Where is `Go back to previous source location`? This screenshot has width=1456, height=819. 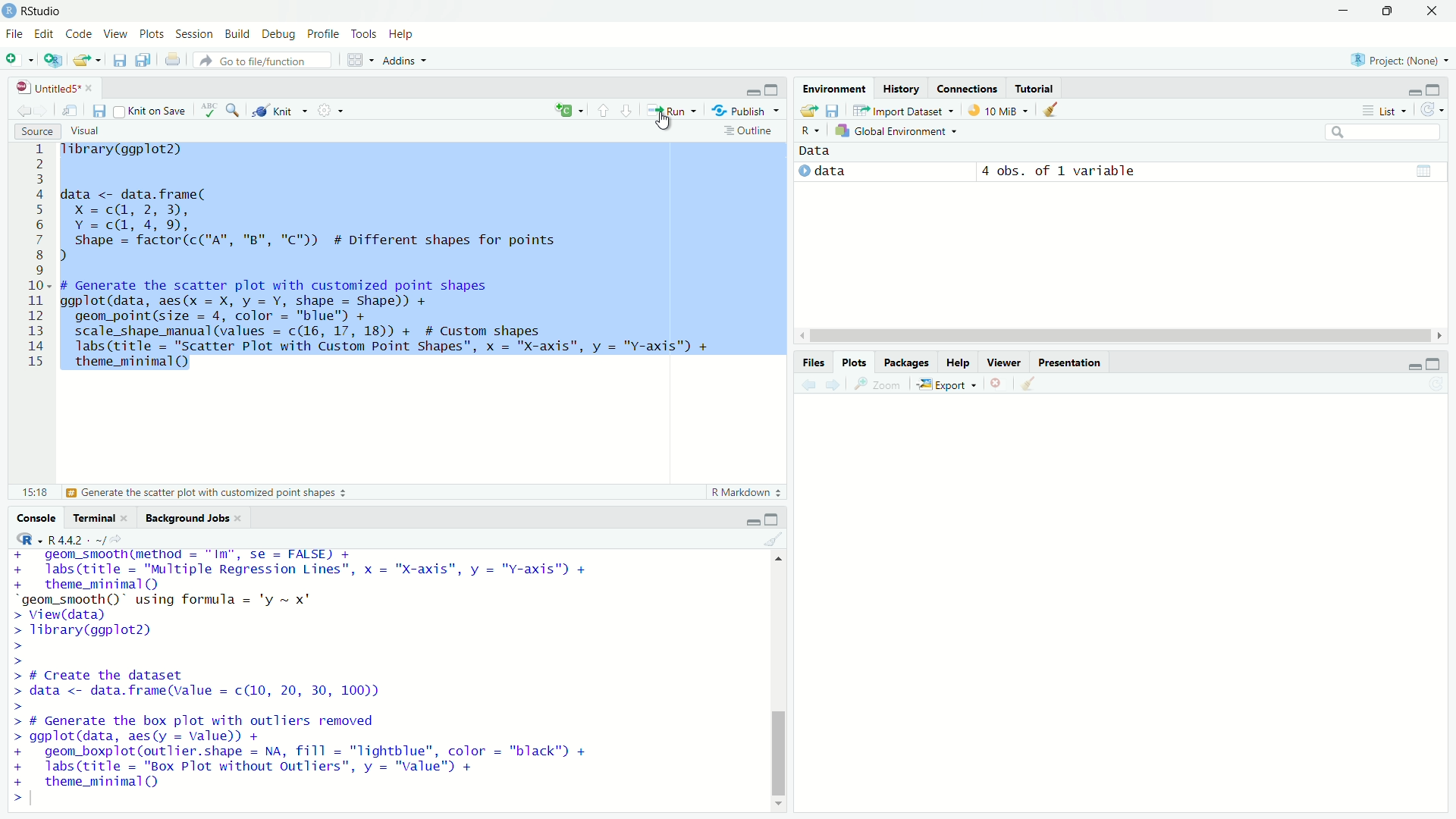 Go back to previous source location is located at coordinates (23, 110).